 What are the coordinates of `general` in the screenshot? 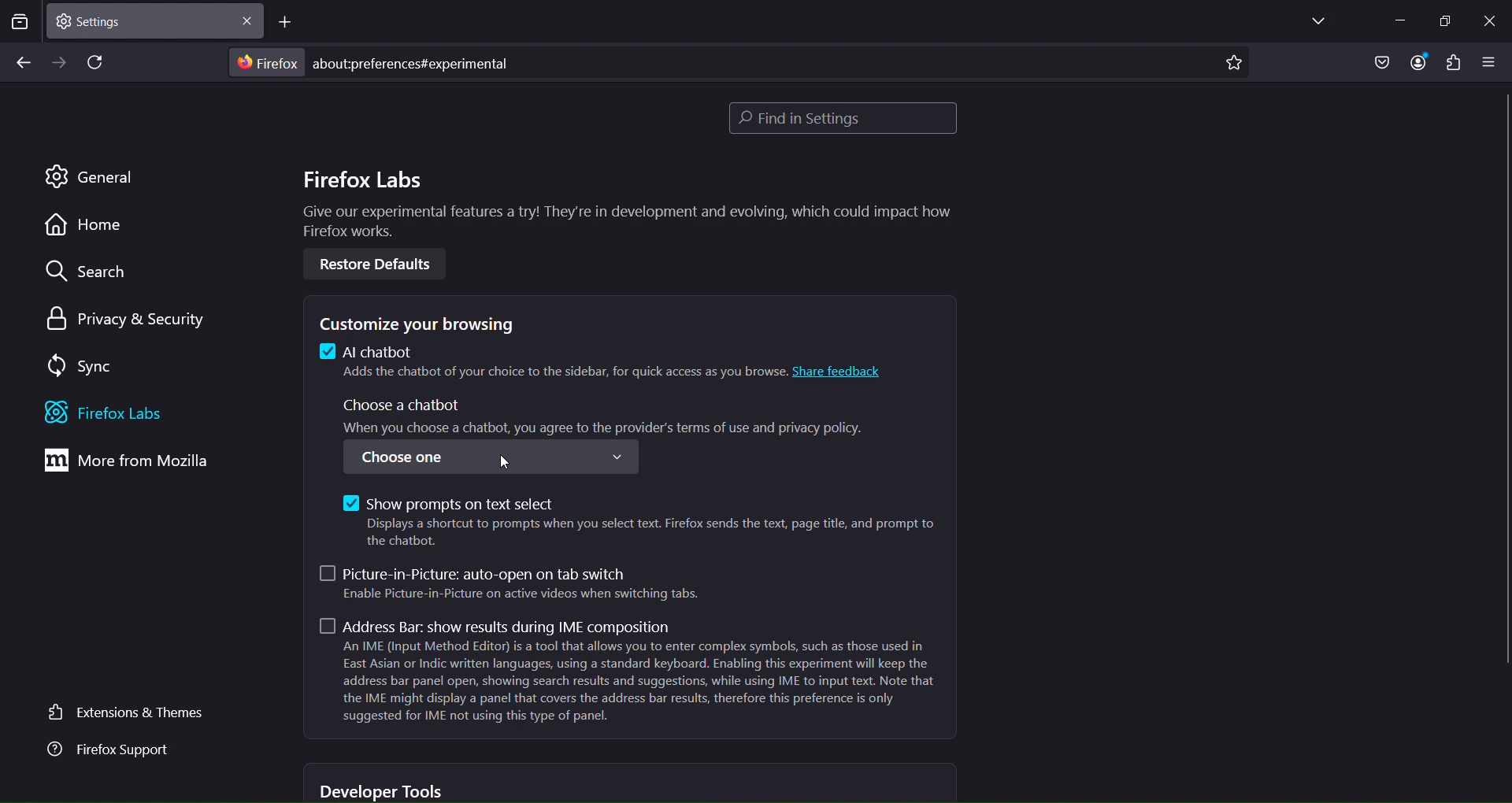 It's located at (96, 177).